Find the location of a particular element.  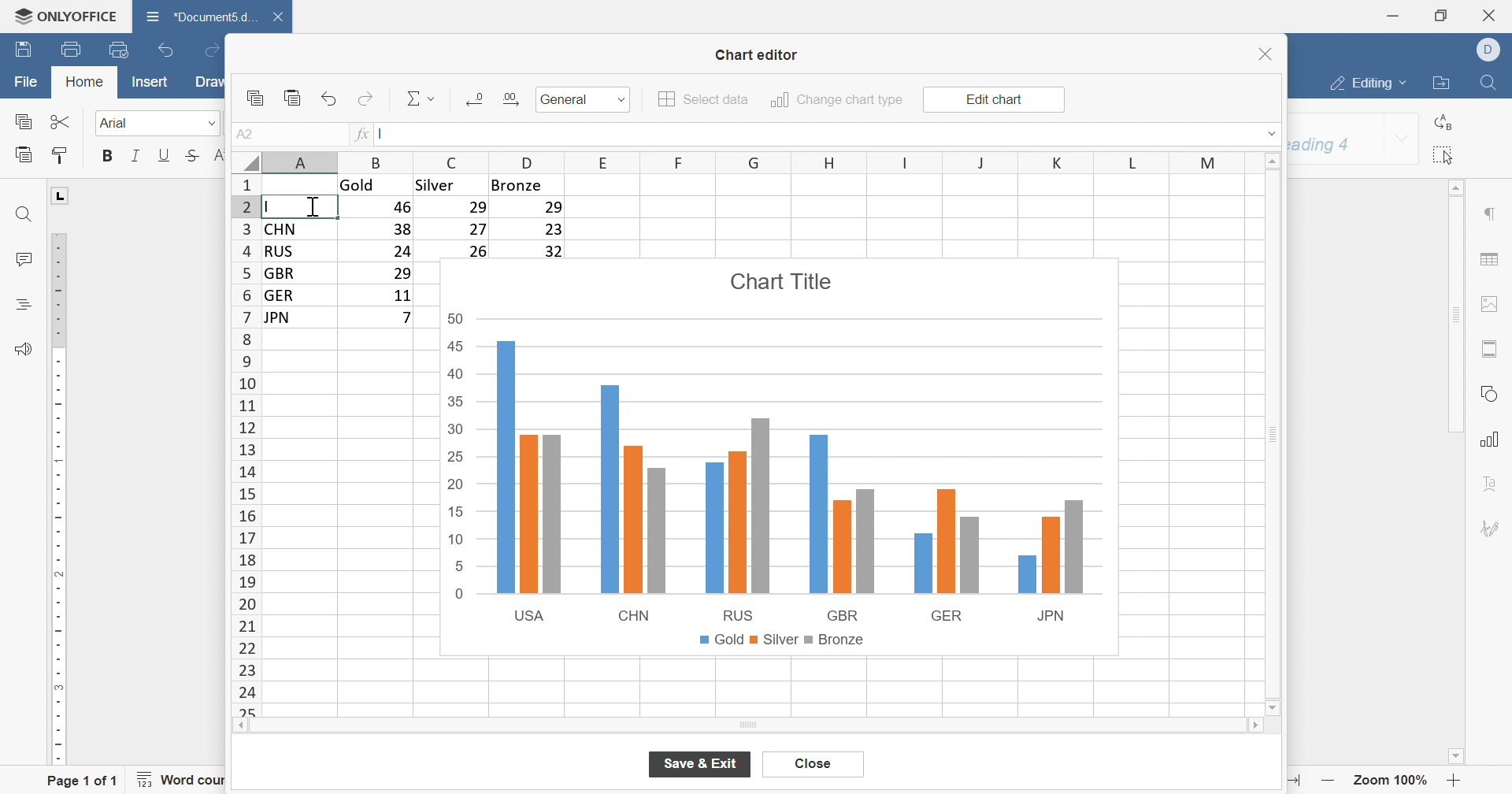

minimize is located at coordinates (1394, 15).